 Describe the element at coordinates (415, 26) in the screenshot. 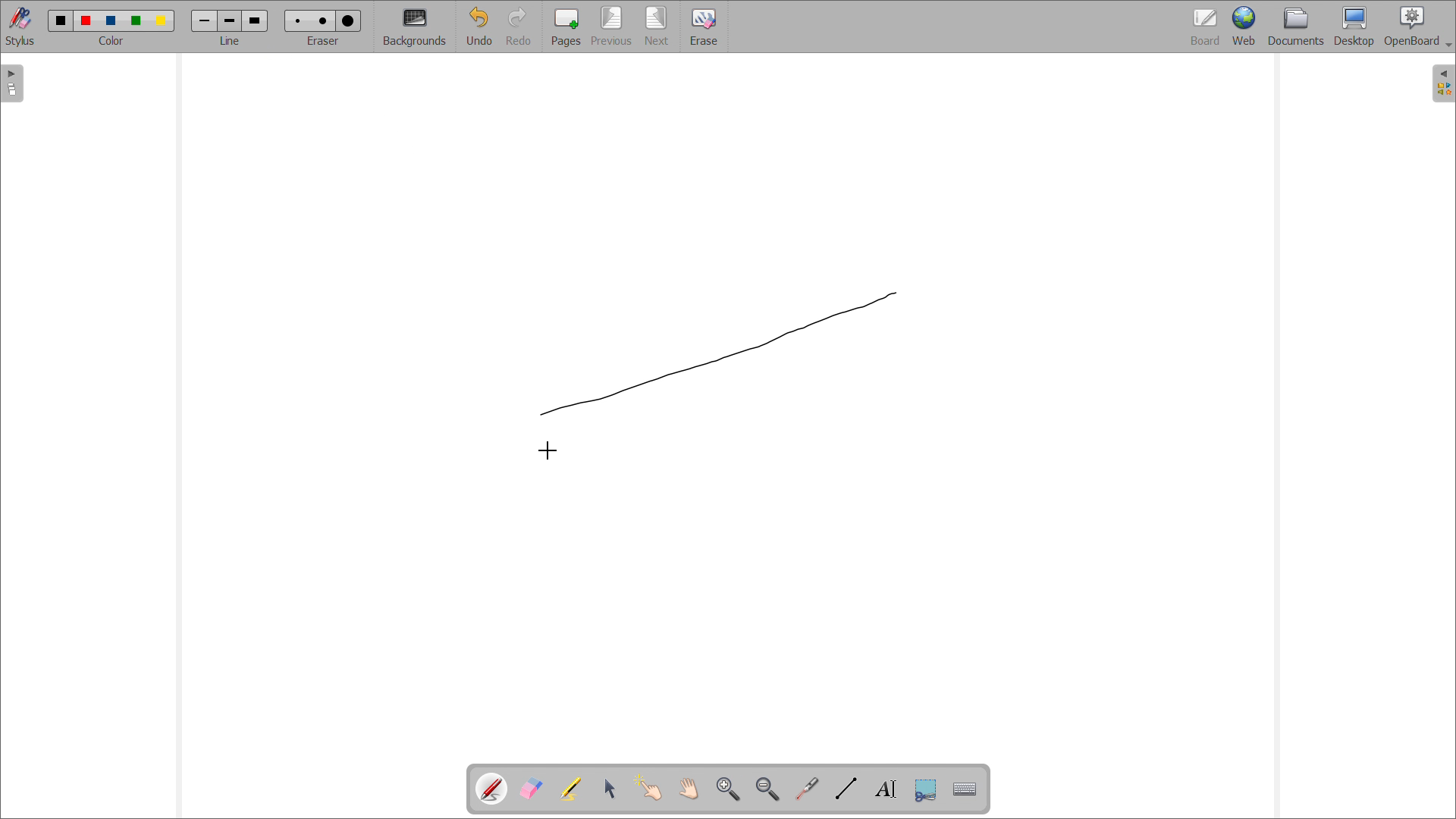

I see `backgrounds` at that location.